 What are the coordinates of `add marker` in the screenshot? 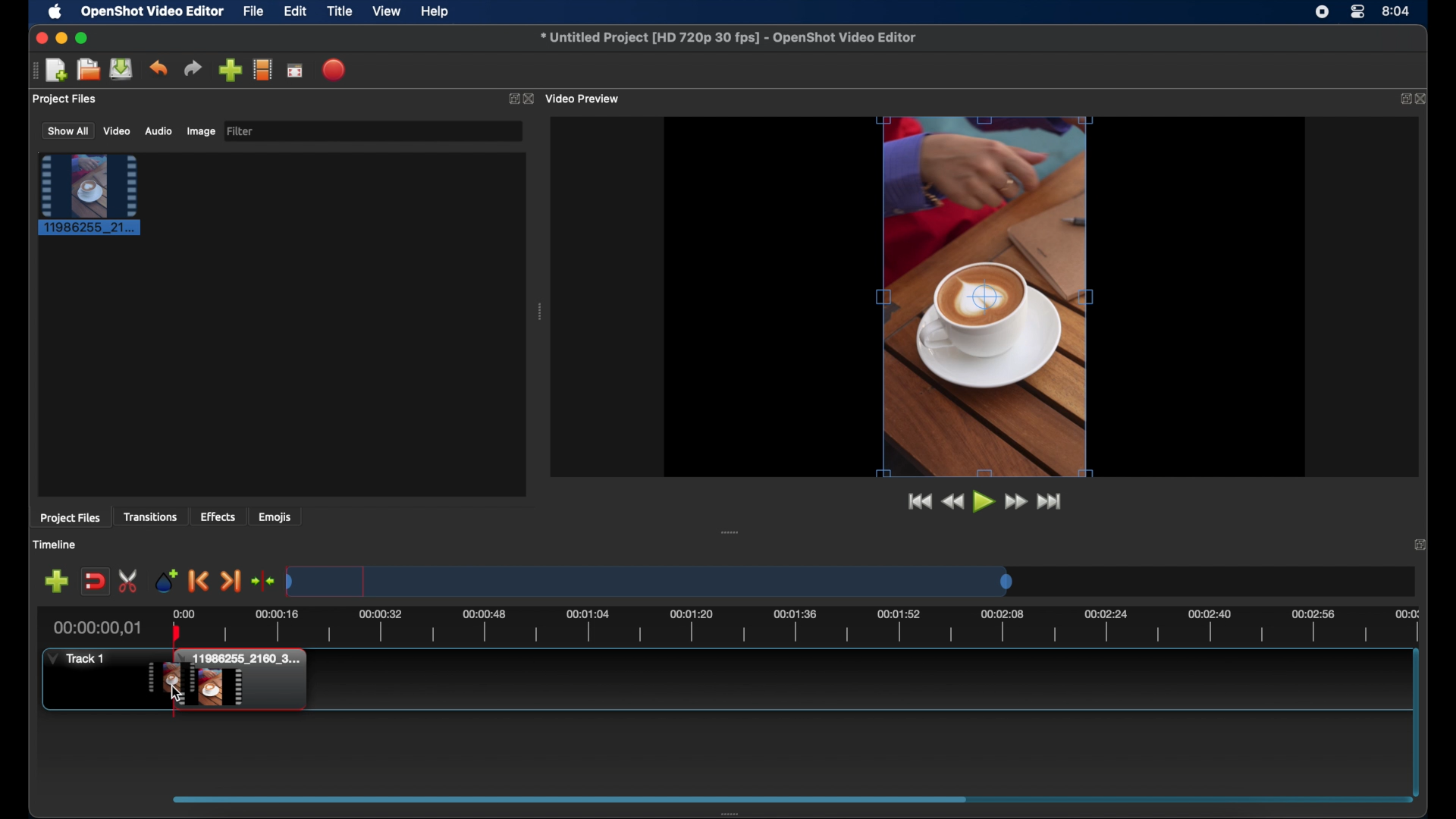 It's located at (167, 581).